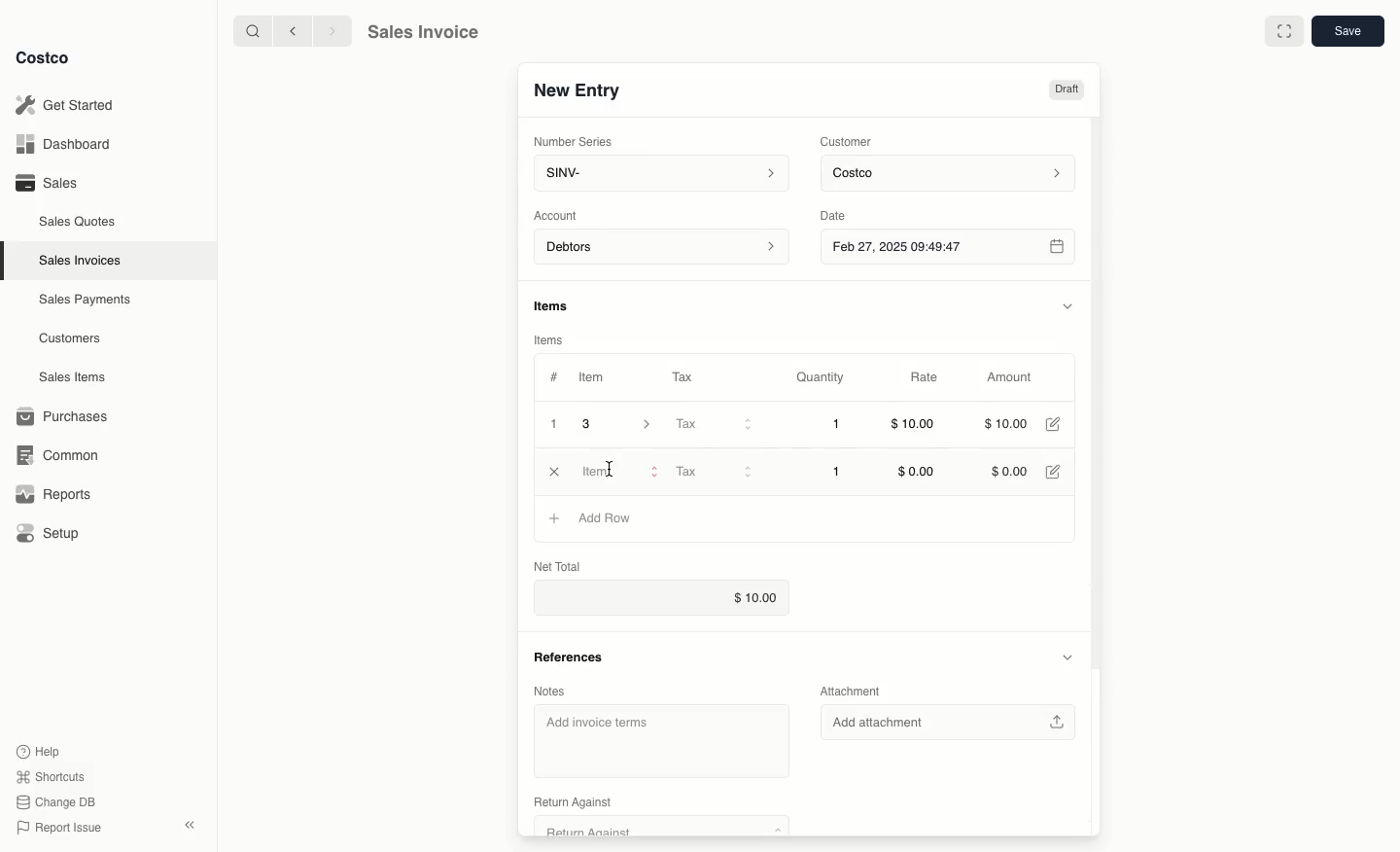  I want to click on Feb 27, 2025 09:49:47, so click(947, 246).